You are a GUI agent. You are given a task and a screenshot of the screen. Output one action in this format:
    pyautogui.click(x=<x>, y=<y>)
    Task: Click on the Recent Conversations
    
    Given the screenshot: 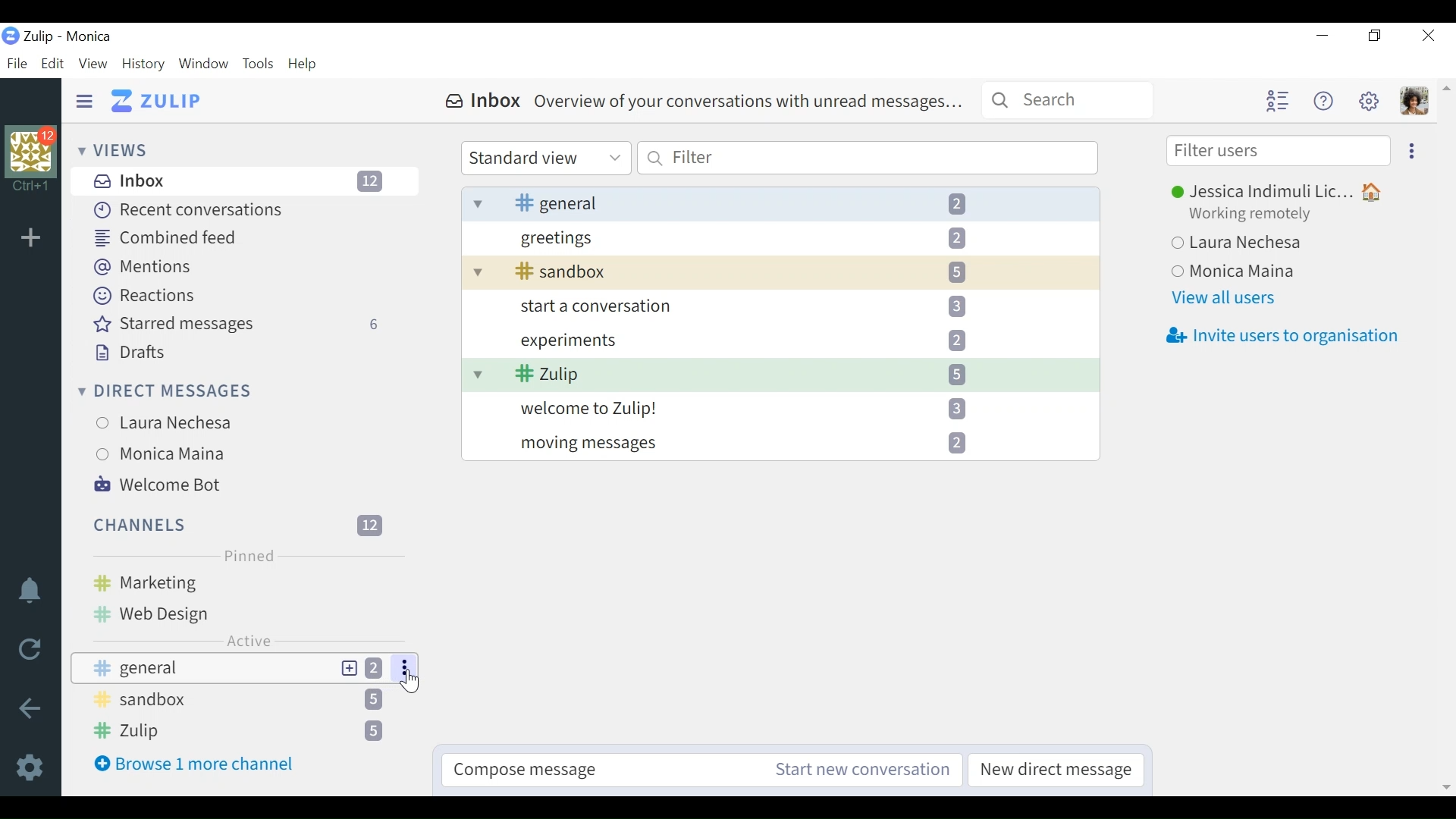 What is the action you would take?
    pyautogui.click(x=185, y=210)
    